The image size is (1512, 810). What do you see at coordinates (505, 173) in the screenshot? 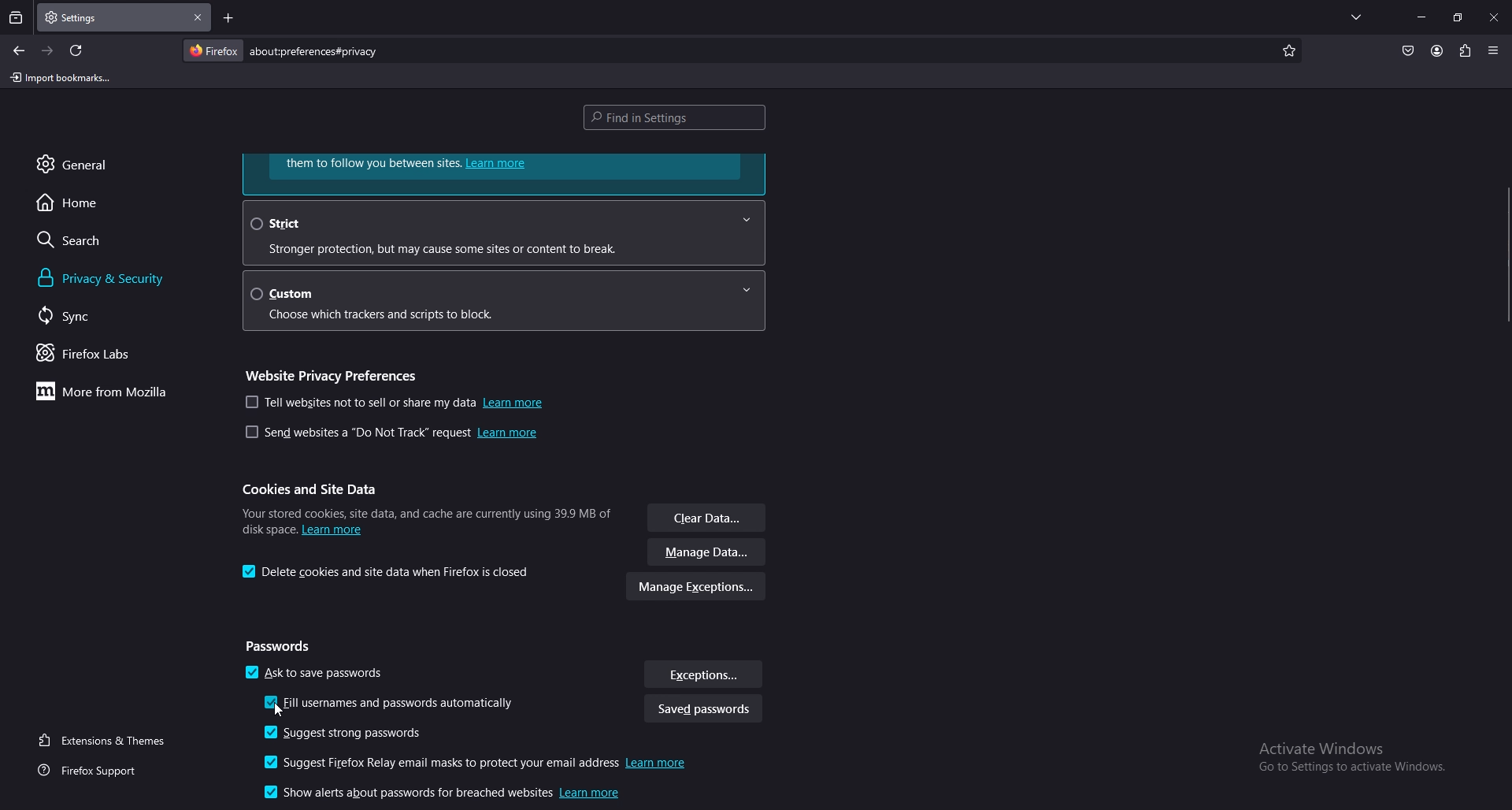
I see `learn more` at bounding box center [505, 173].